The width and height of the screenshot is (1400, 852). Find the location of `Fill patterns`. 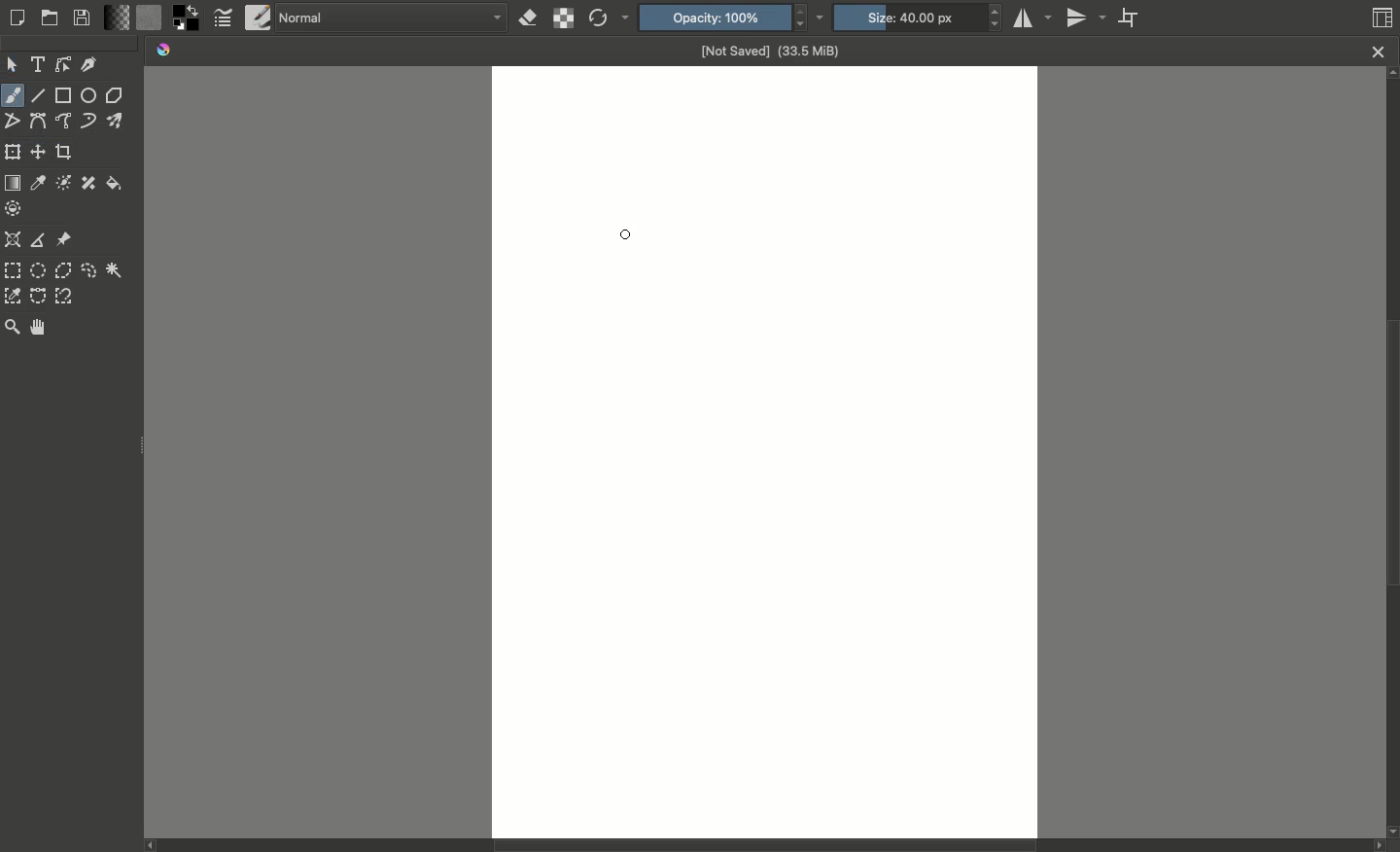

Fill patterns is located at coordinates (150, 18).